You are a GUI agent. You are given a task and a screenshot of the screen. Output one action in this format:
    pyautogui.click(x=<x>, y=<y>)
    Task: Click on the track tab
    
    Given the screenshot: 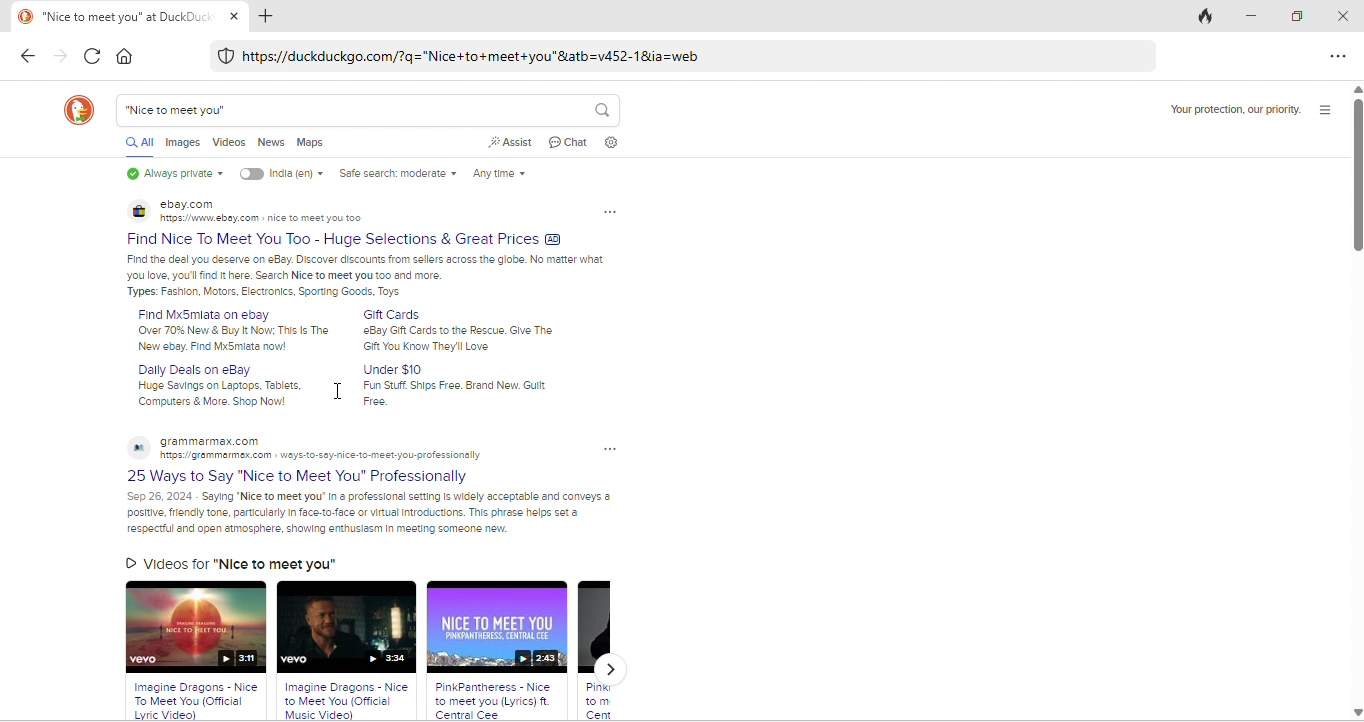 What is the action you would take?
    pyautogui.click(x=1202, y=16)
    